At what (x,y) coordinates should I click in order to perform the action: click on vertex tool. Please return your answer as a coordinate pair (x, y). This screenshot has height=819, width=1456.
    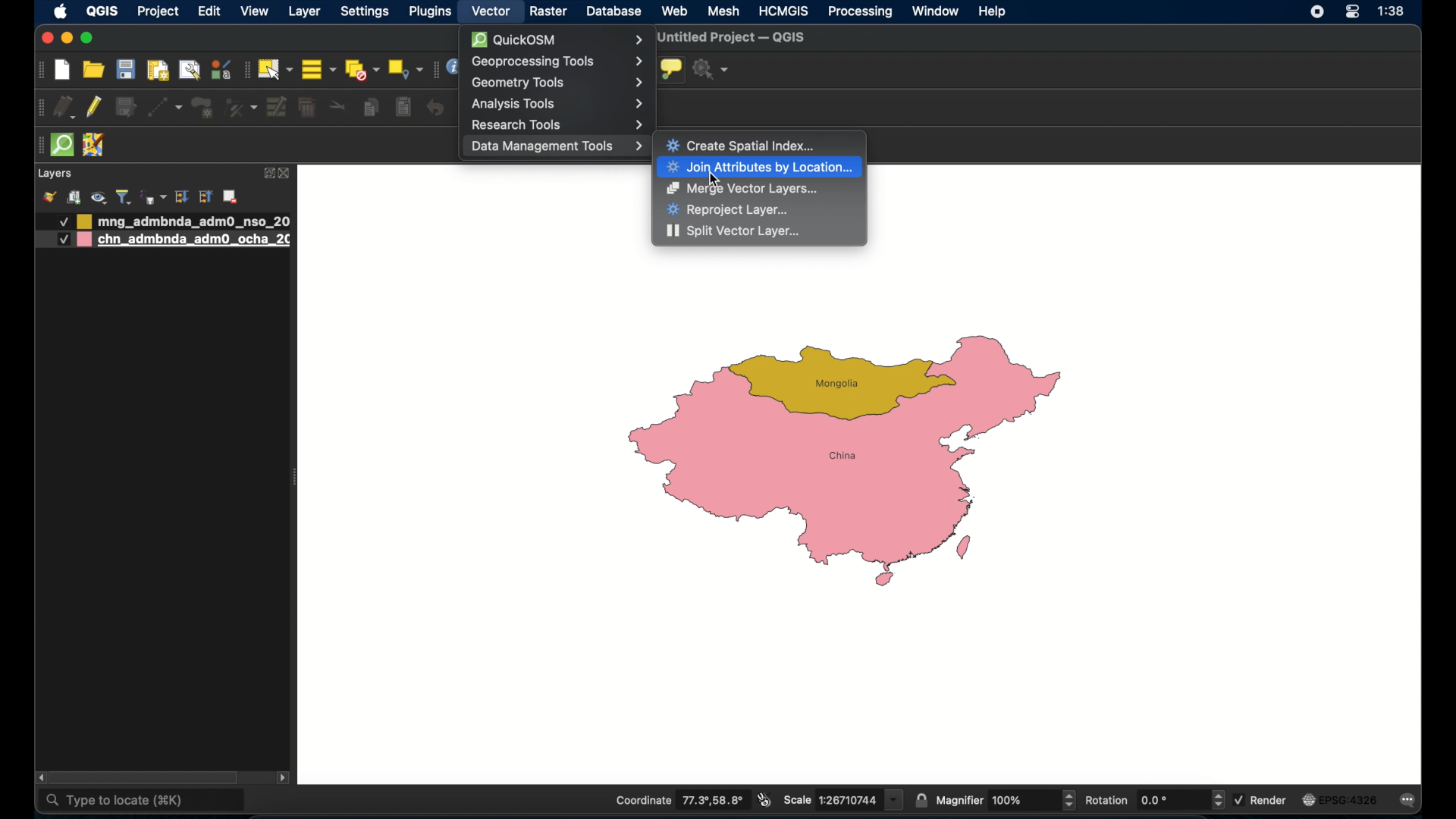
    Looking at the image, I should click on (240, 108).